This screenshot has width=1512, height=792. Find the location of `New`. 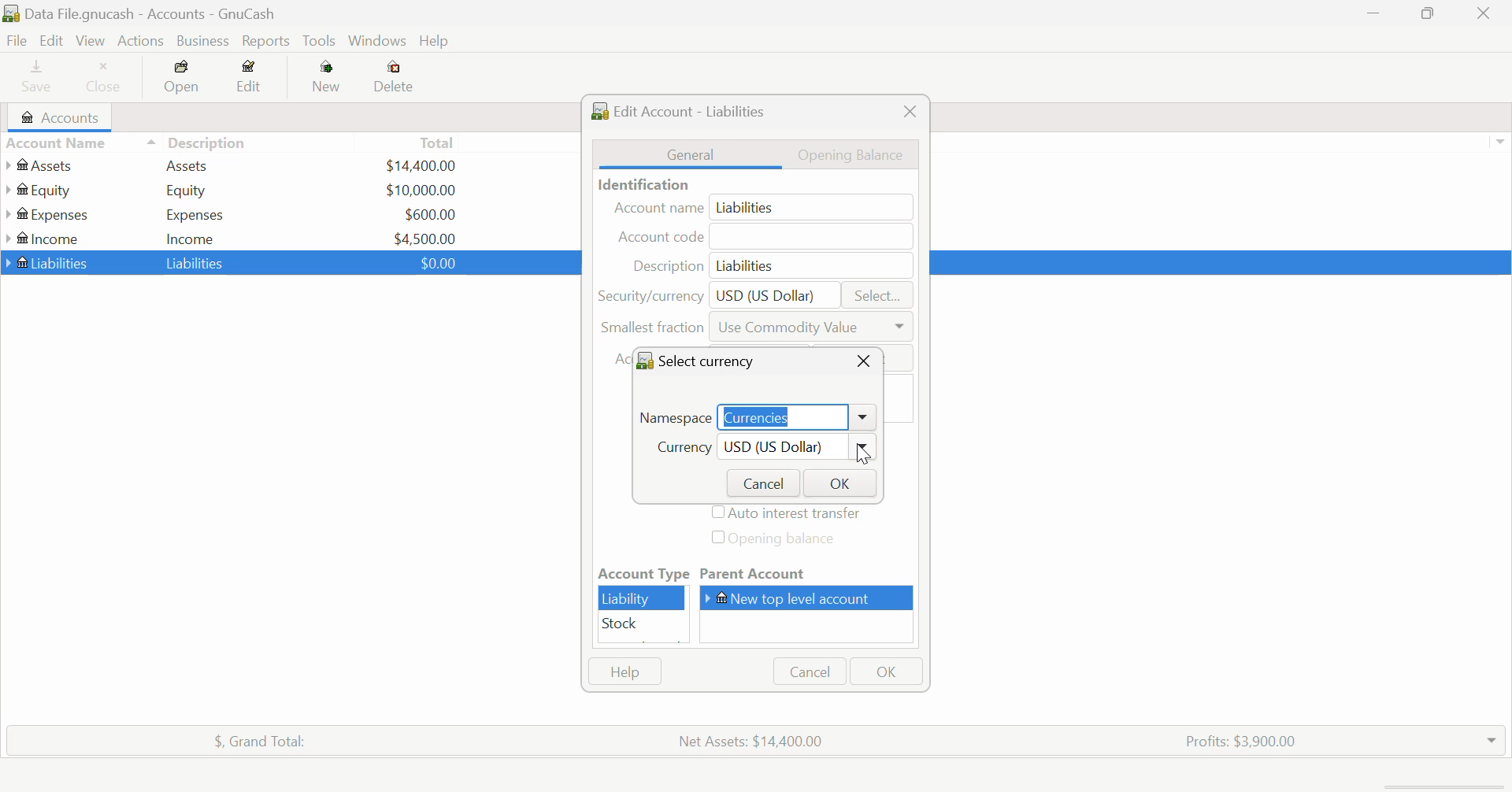

New is located at coordinates (328, 80).